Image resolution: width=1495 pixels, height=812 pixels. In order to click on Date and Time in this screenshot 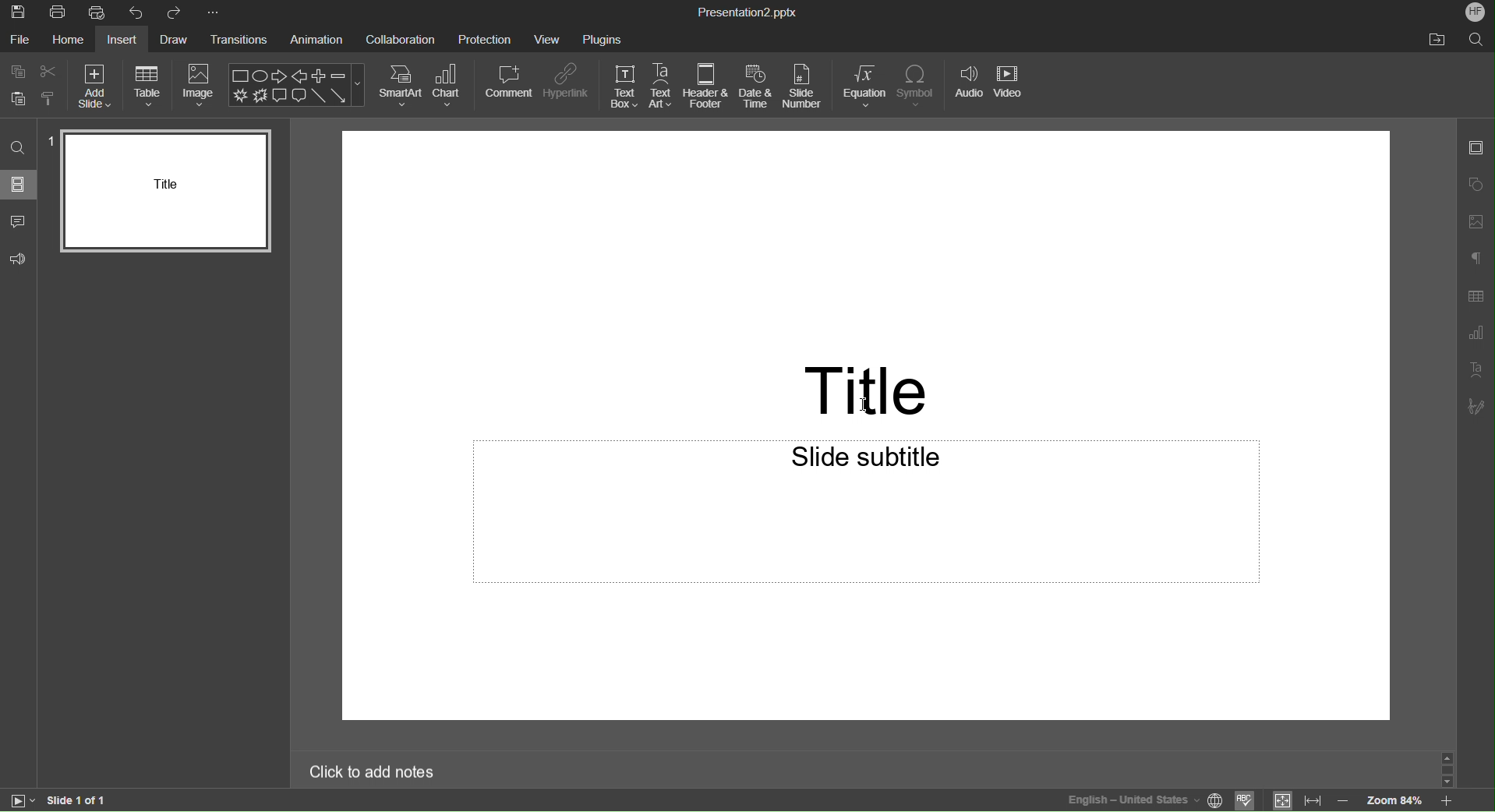, I will do `click(758, 86)`.